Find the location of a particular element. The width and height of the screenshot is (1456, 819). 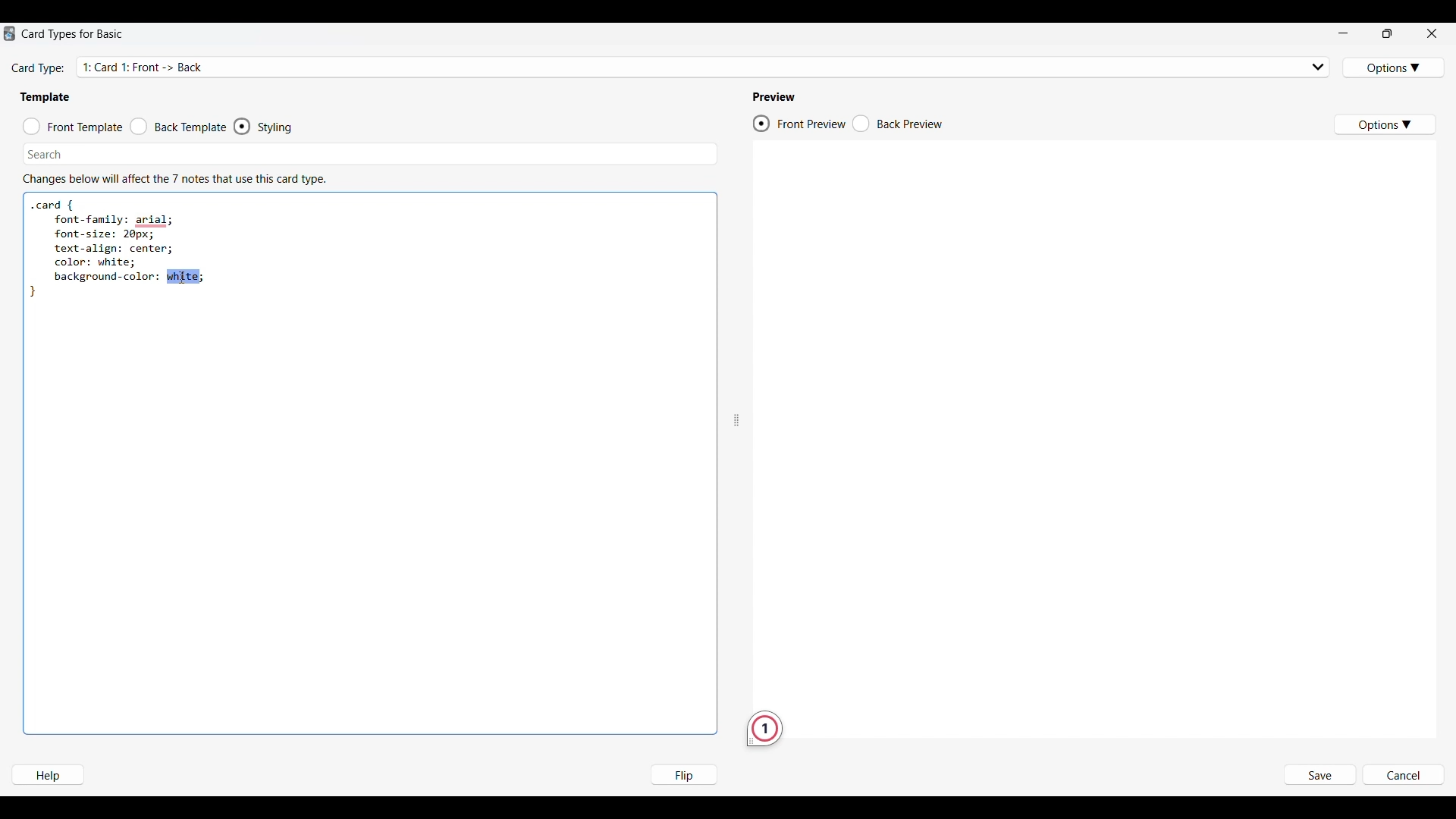

Template styling is located at coordinates (278, 127).